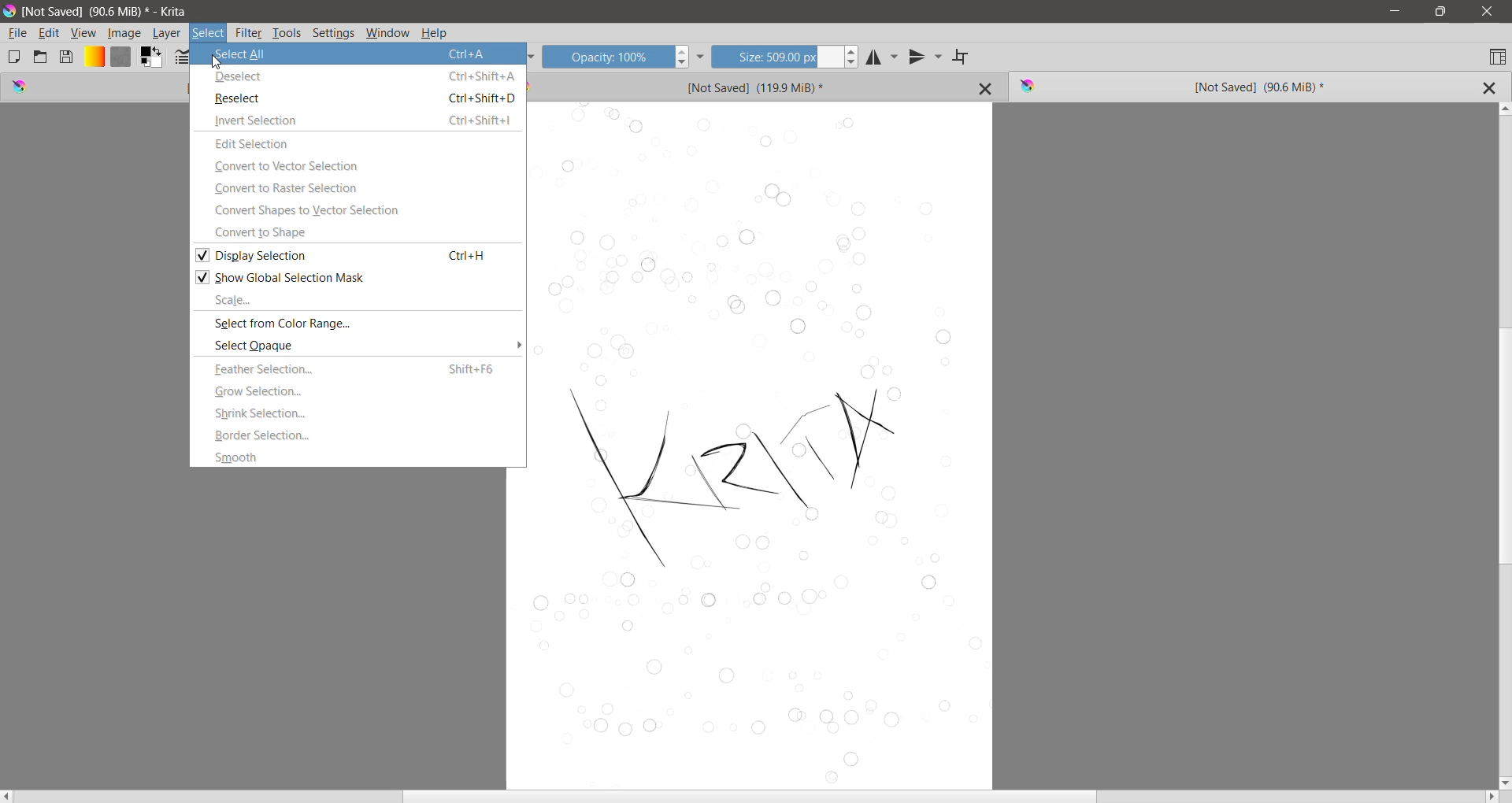  What do you see at coordinates (287, 34) in the screenshot?
I see `Tools` at bounding box center [287, 34].